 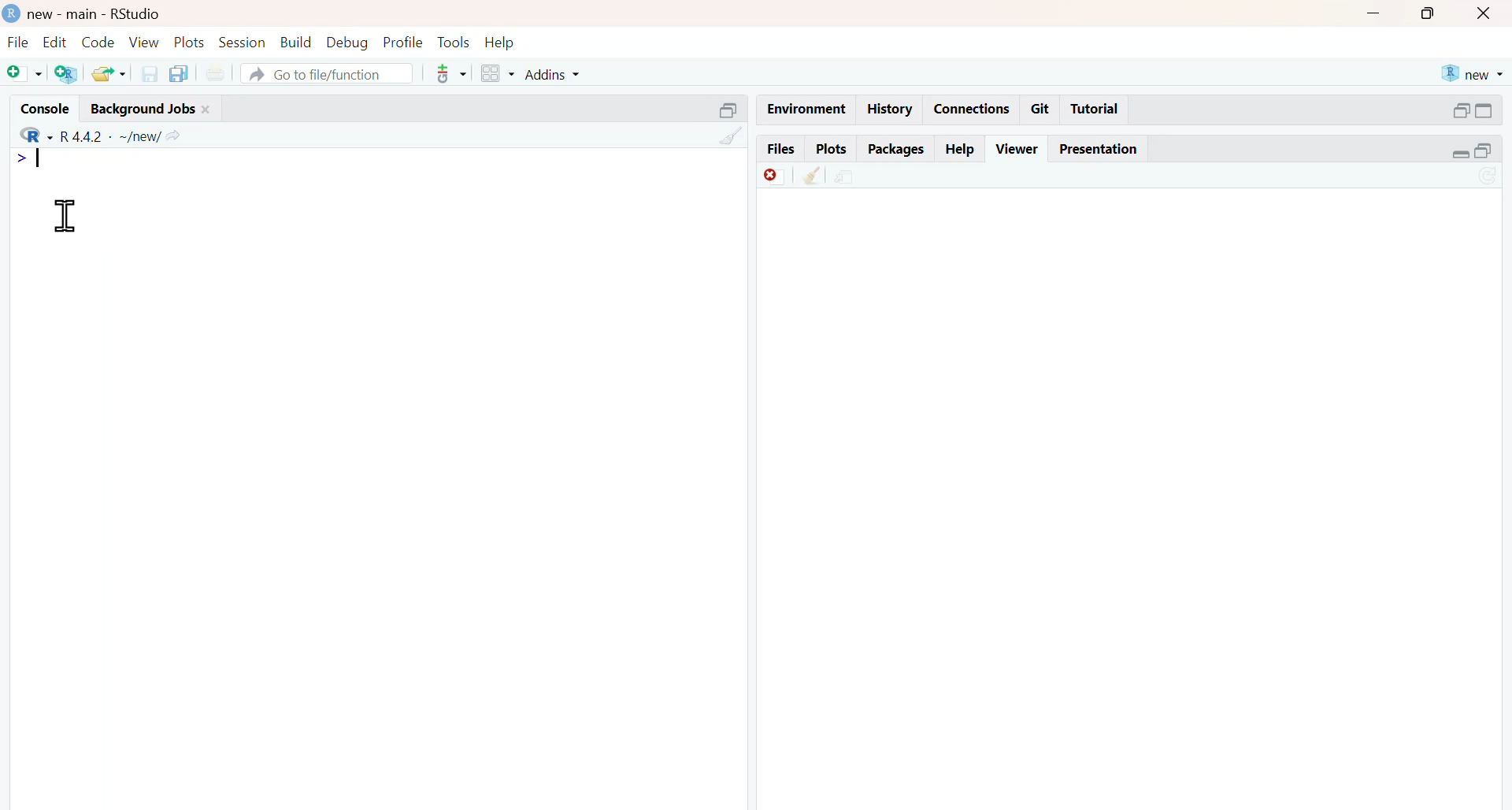 I want to click on Discard , so click(x=775, y=176).